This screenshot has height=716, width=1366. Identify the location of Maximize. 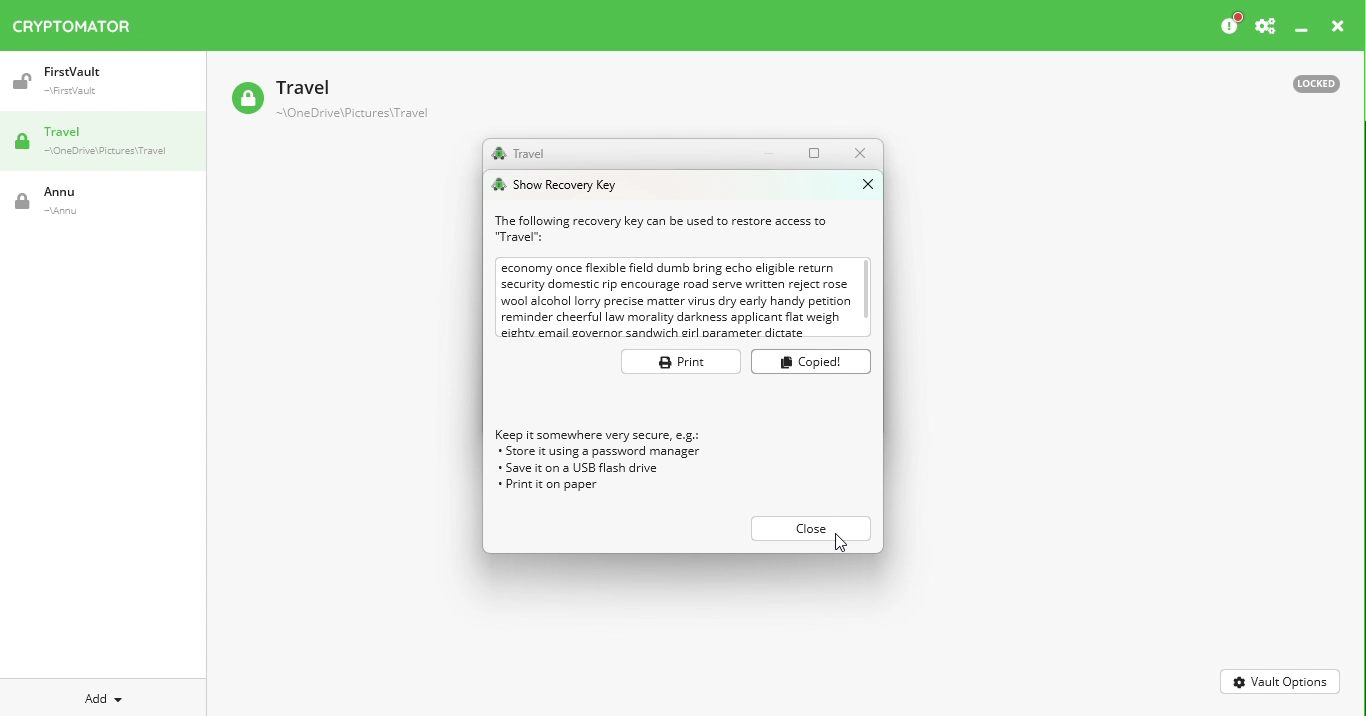
(818, 152).